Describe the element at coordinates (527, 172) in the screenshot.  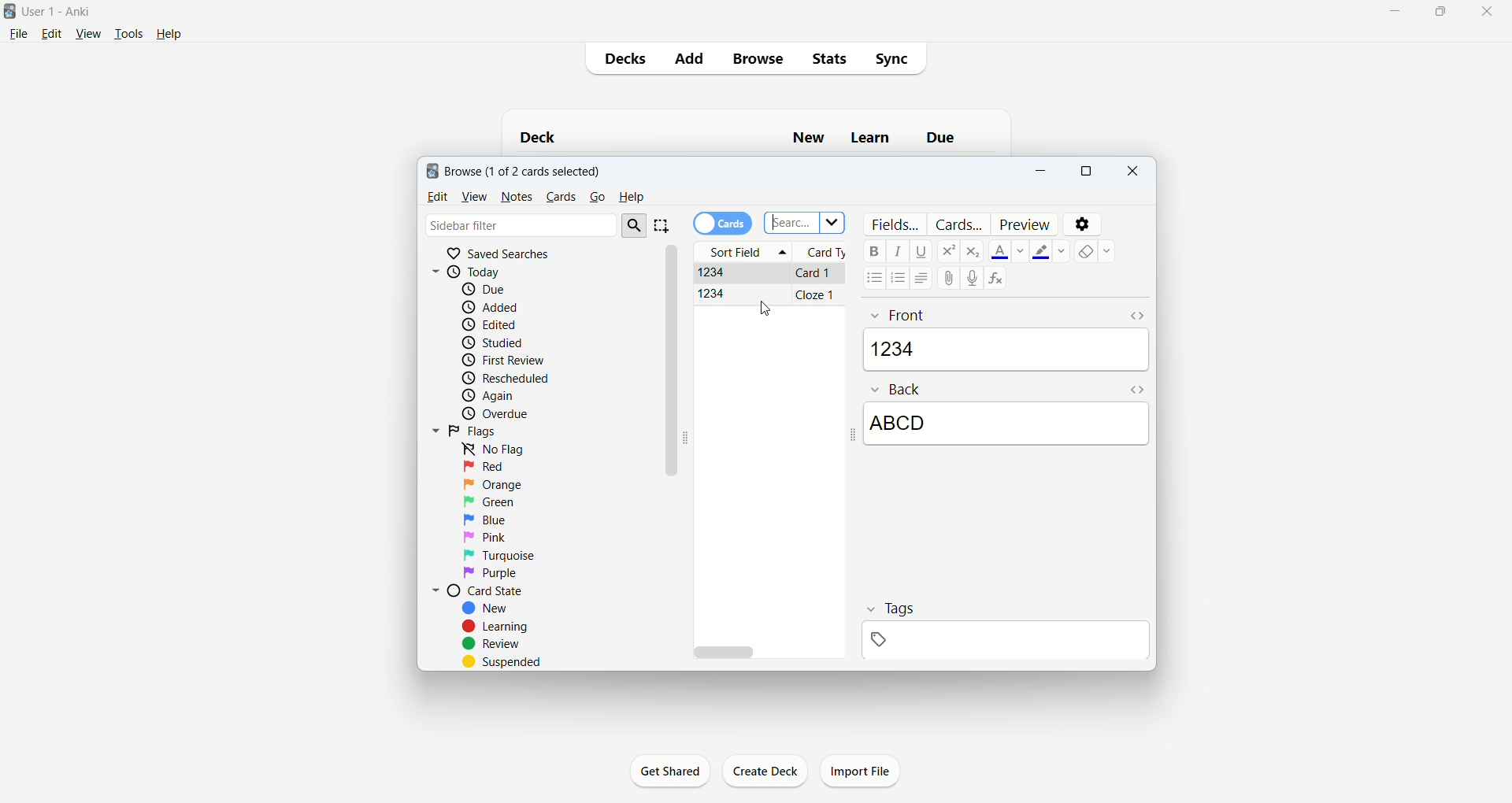
I see `browse` at that location.